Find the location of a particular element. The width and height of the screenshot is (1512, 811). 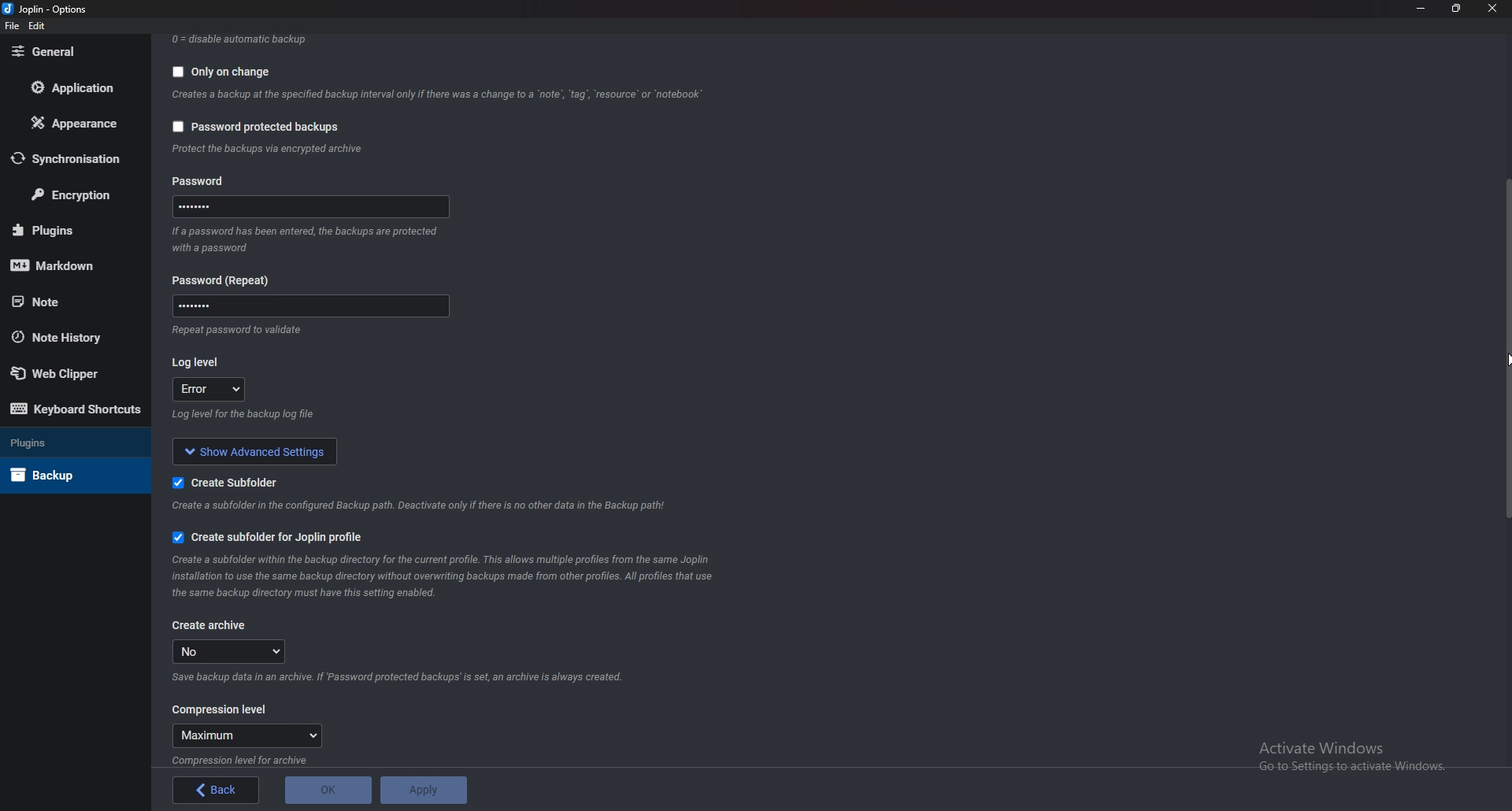

Compression level is located at coordinates (221, 709).